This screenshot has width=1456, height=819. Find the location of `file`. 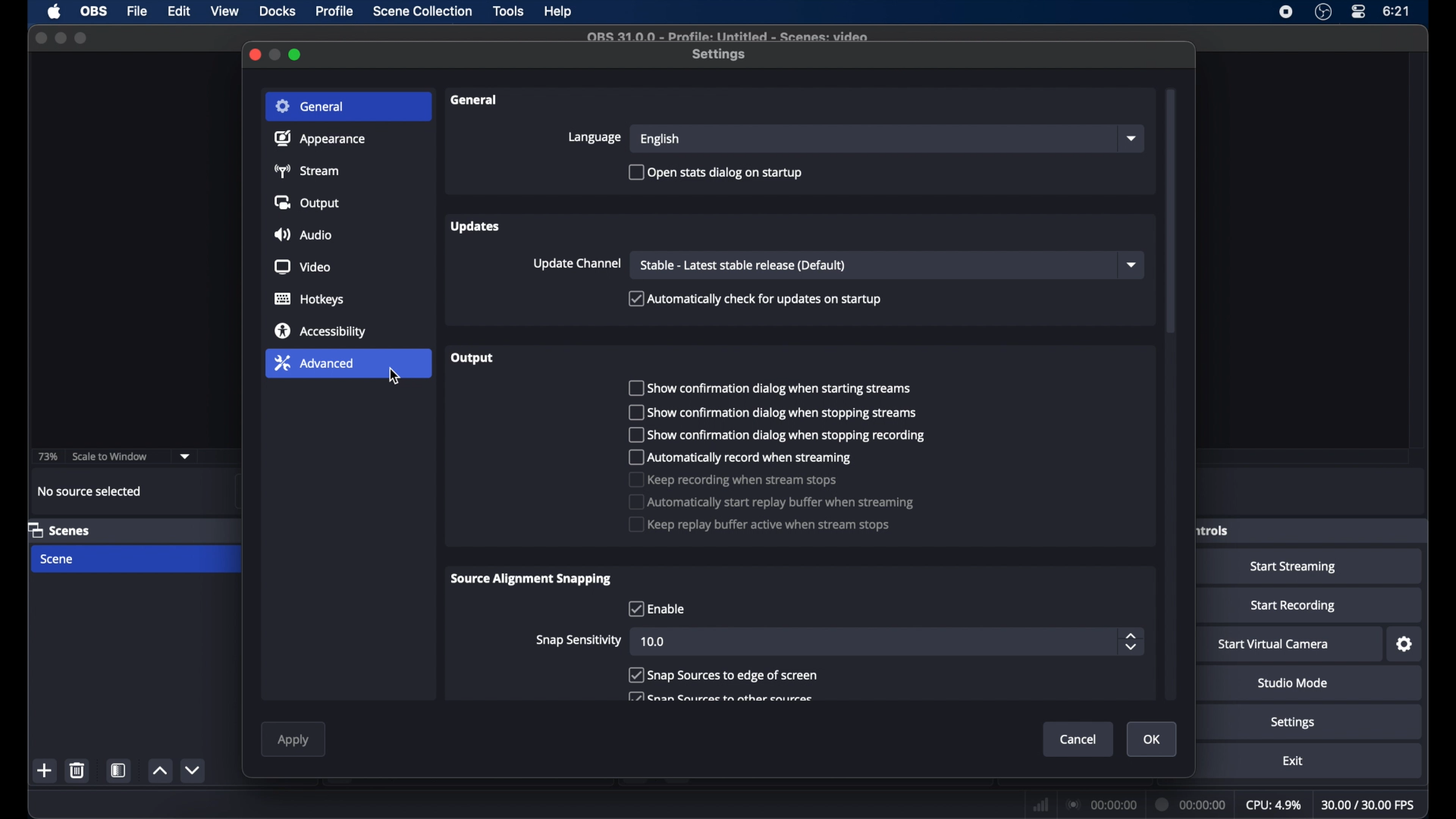

file is located at coordinates (137, 11).